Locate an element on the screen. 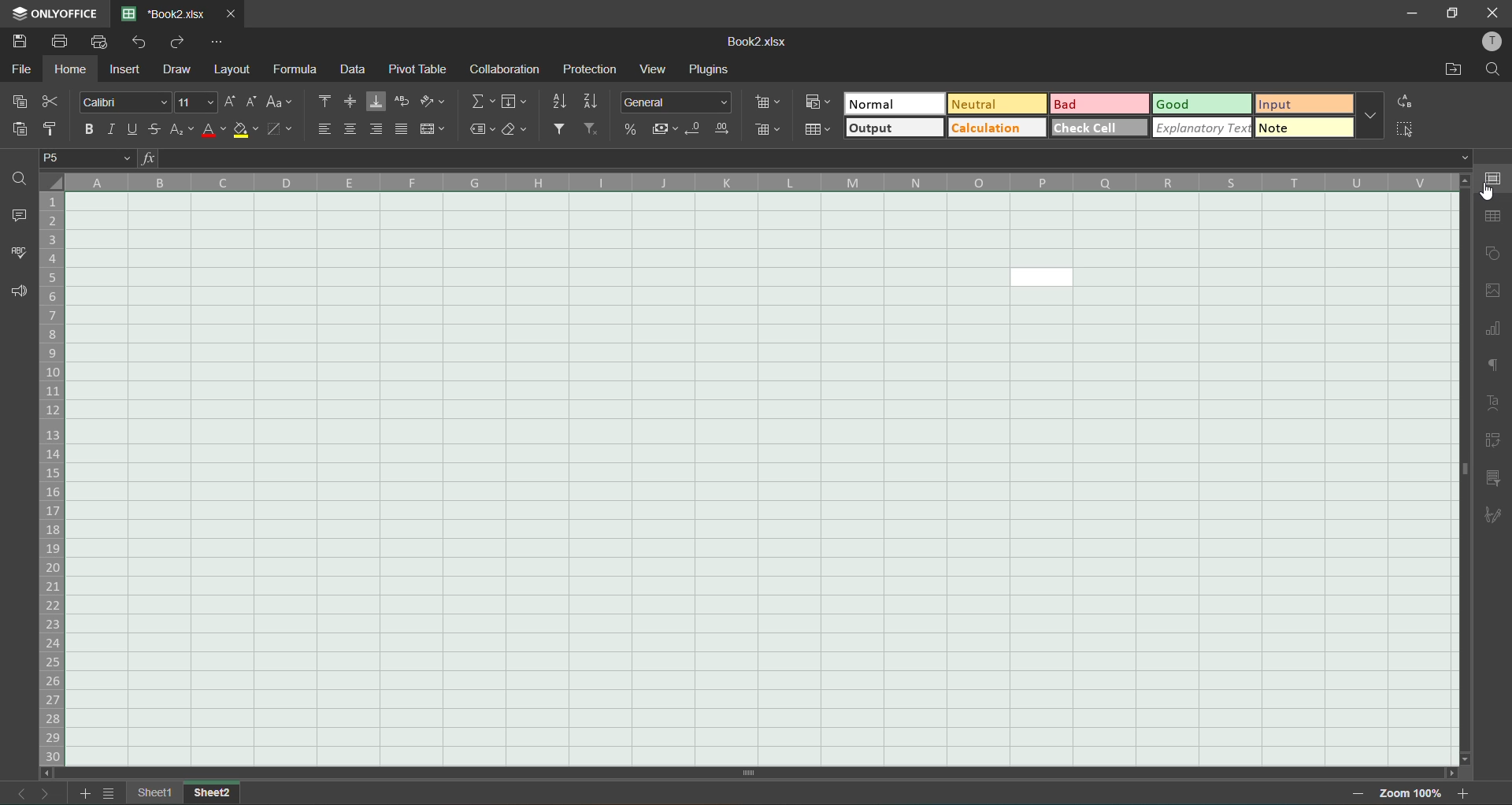 The image size is (1512, 805). print is located at coordinates (65, 43).